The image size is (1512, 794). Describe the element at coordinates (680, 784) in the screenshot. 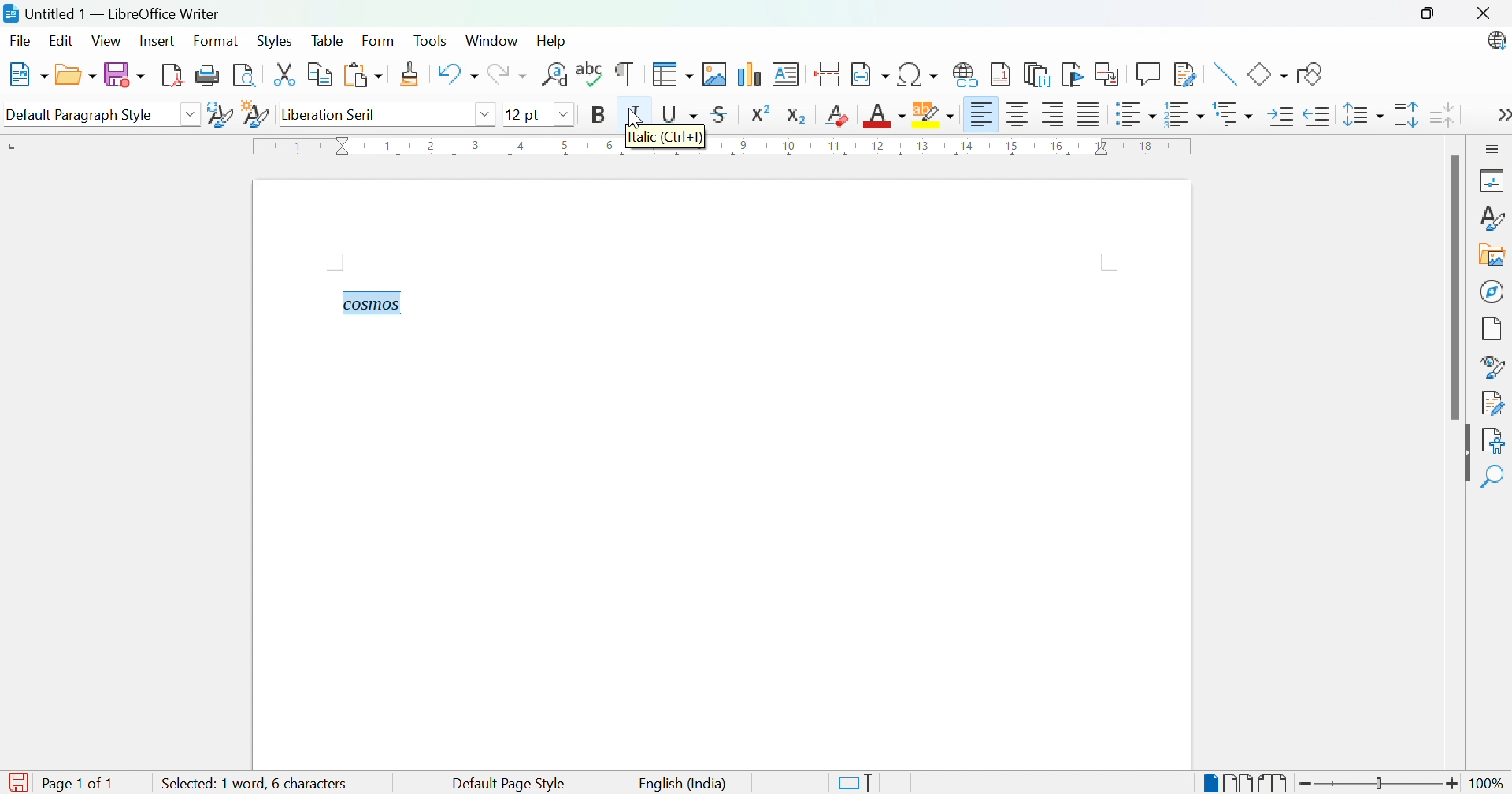

I see `English (India)` at that location.